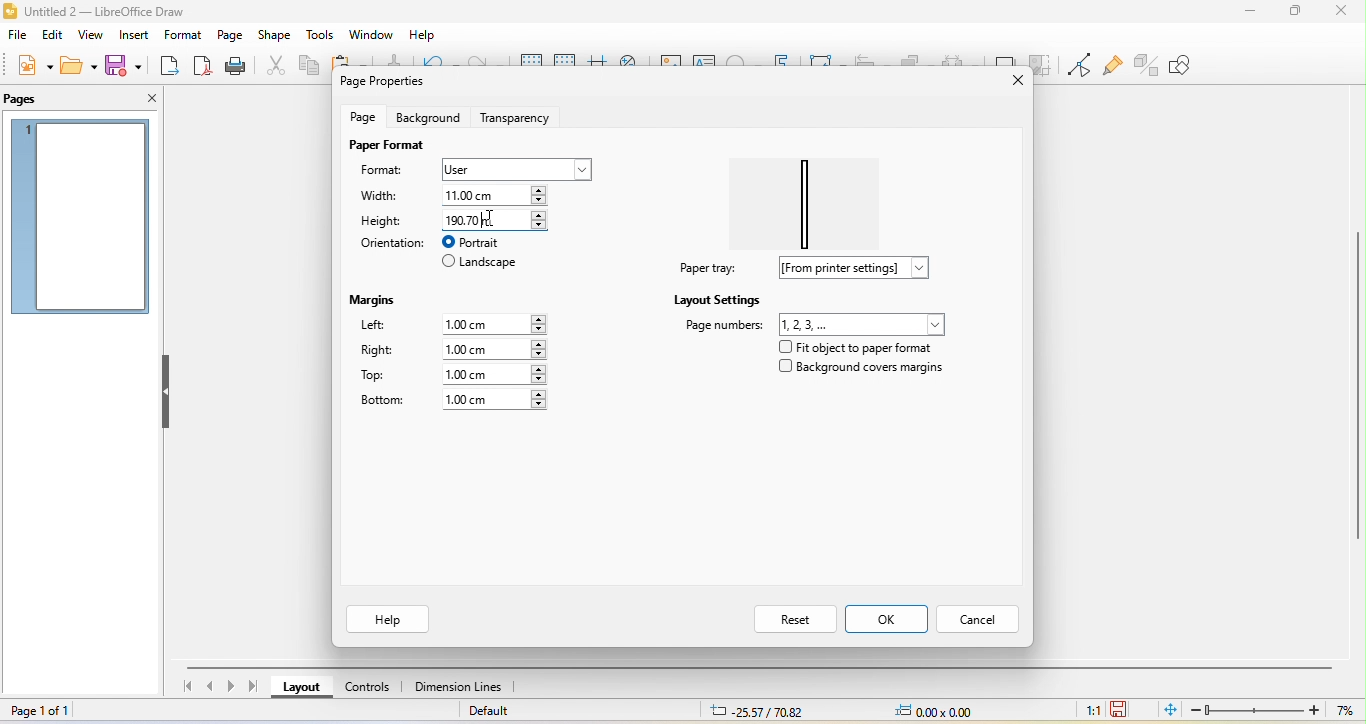 This screenshot has height=724, width=1366. I want to click on toggle point edit mode, so click(1078, 65).